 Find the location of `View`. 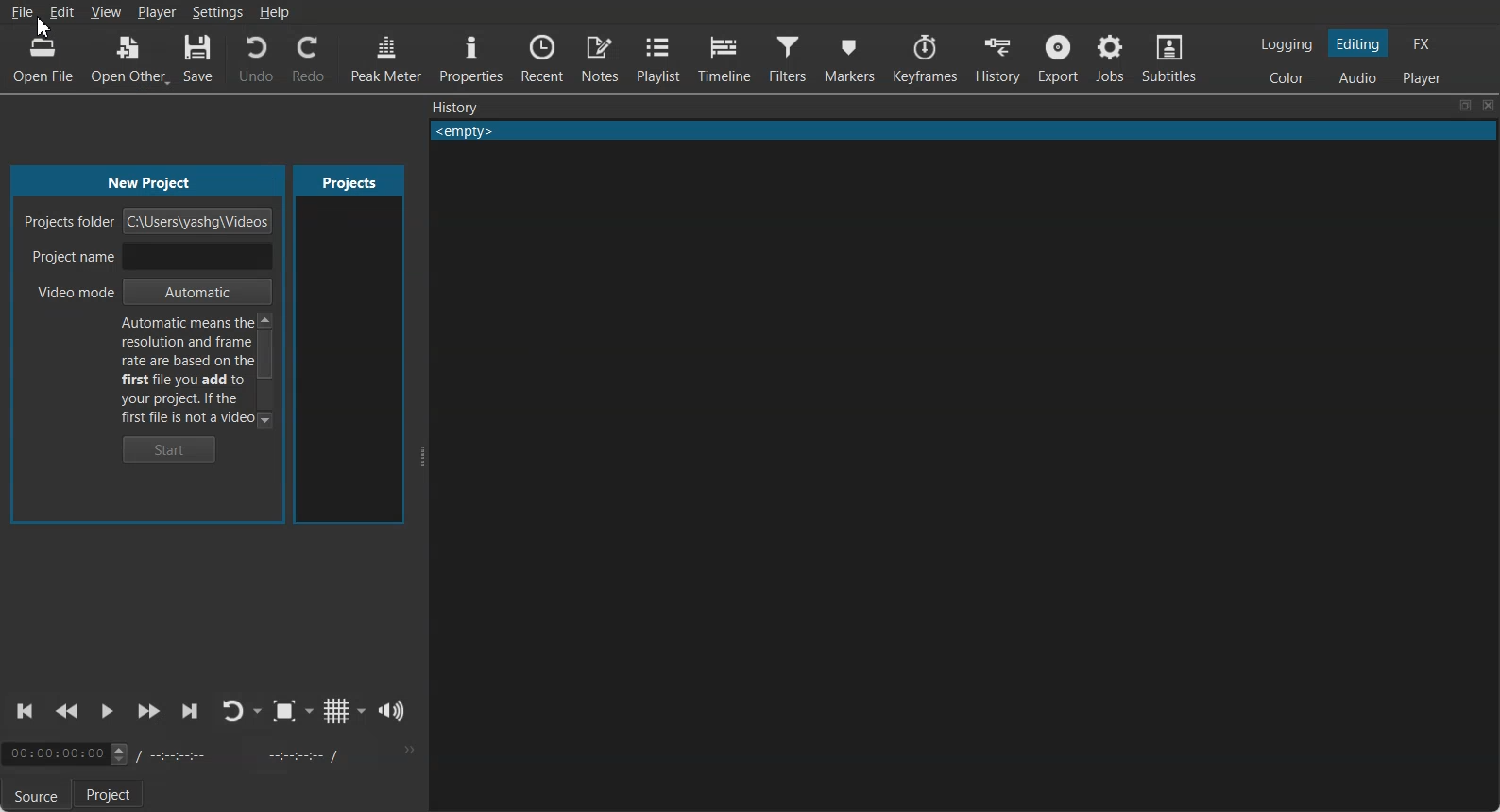

View is located at coordinates (107, 12).